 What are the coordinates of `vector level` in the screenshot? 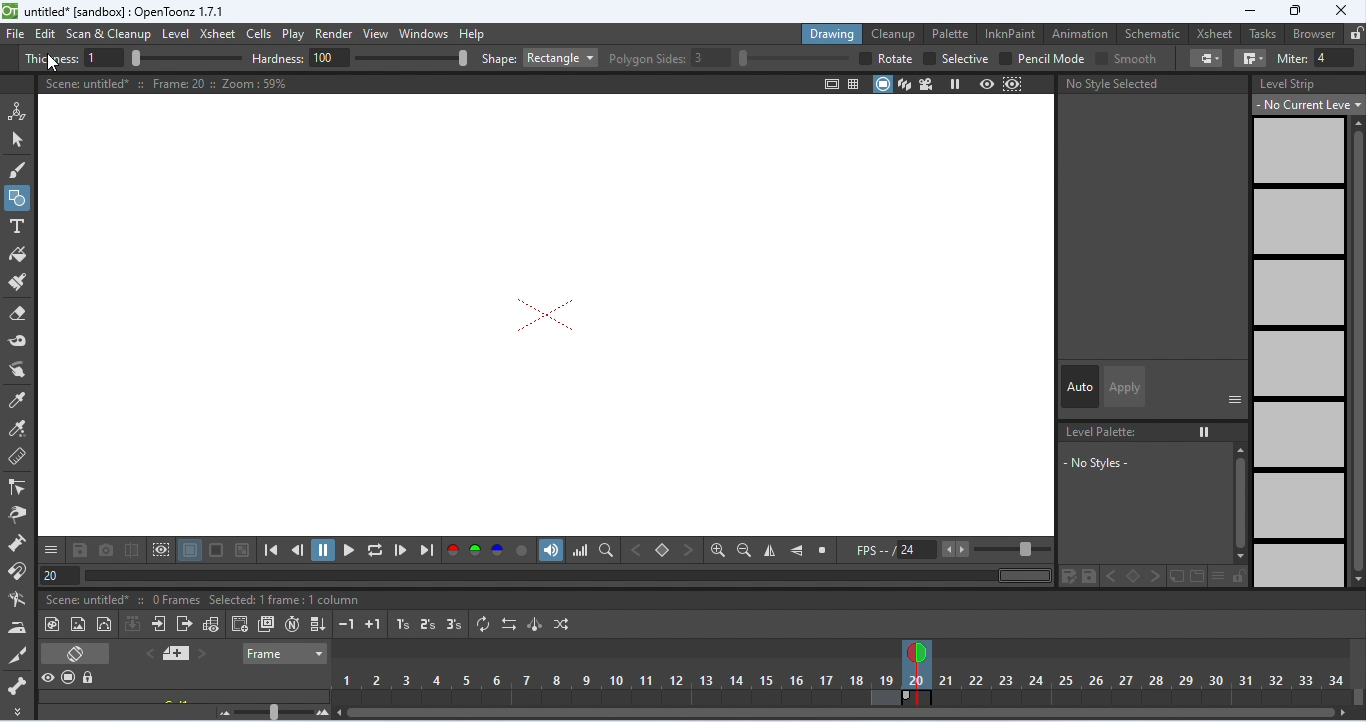 It's located at (105, 623).